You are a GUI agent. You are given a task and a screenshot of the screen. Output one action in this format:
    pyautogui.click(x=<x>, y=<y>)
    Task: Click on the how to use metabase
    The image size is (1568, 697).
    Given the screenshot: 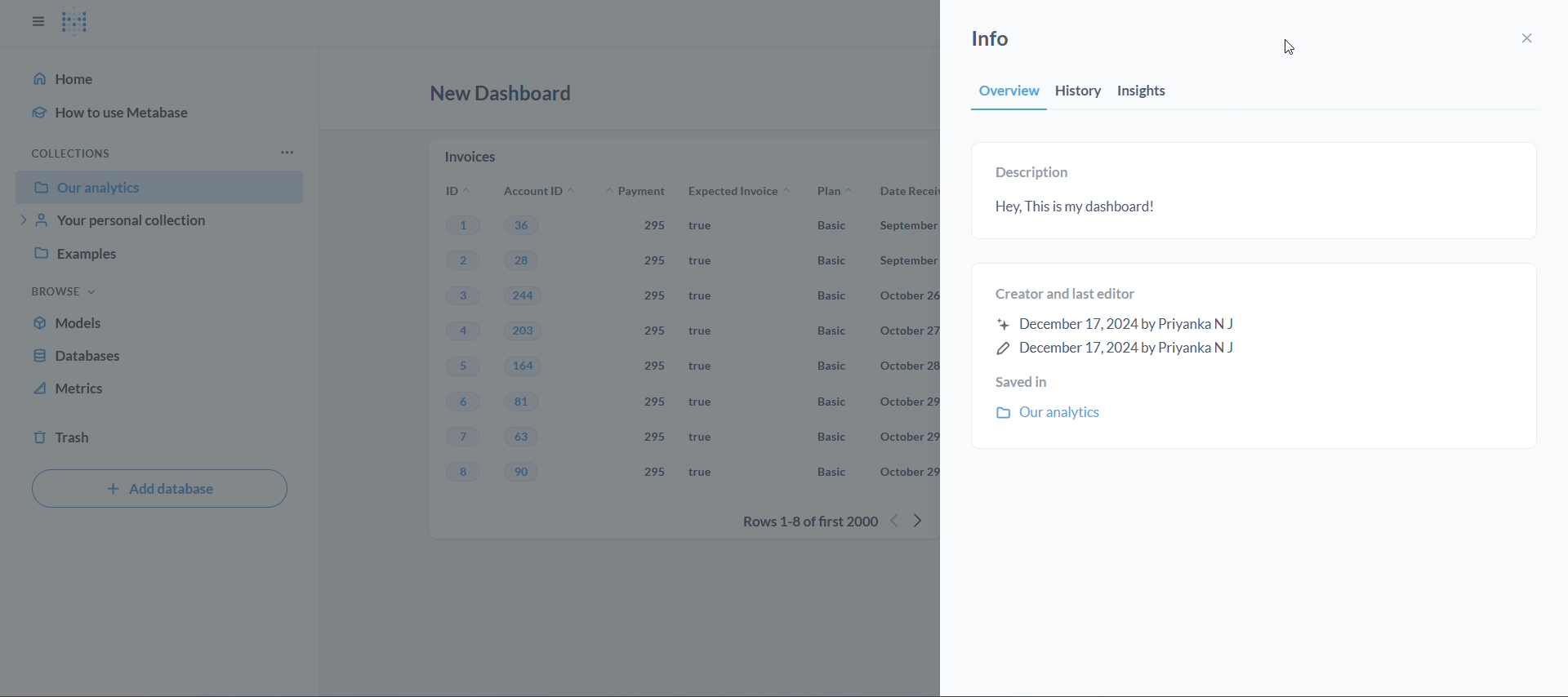 What is the action you would take?
    pyautogui.click(x=128, y=109)
    